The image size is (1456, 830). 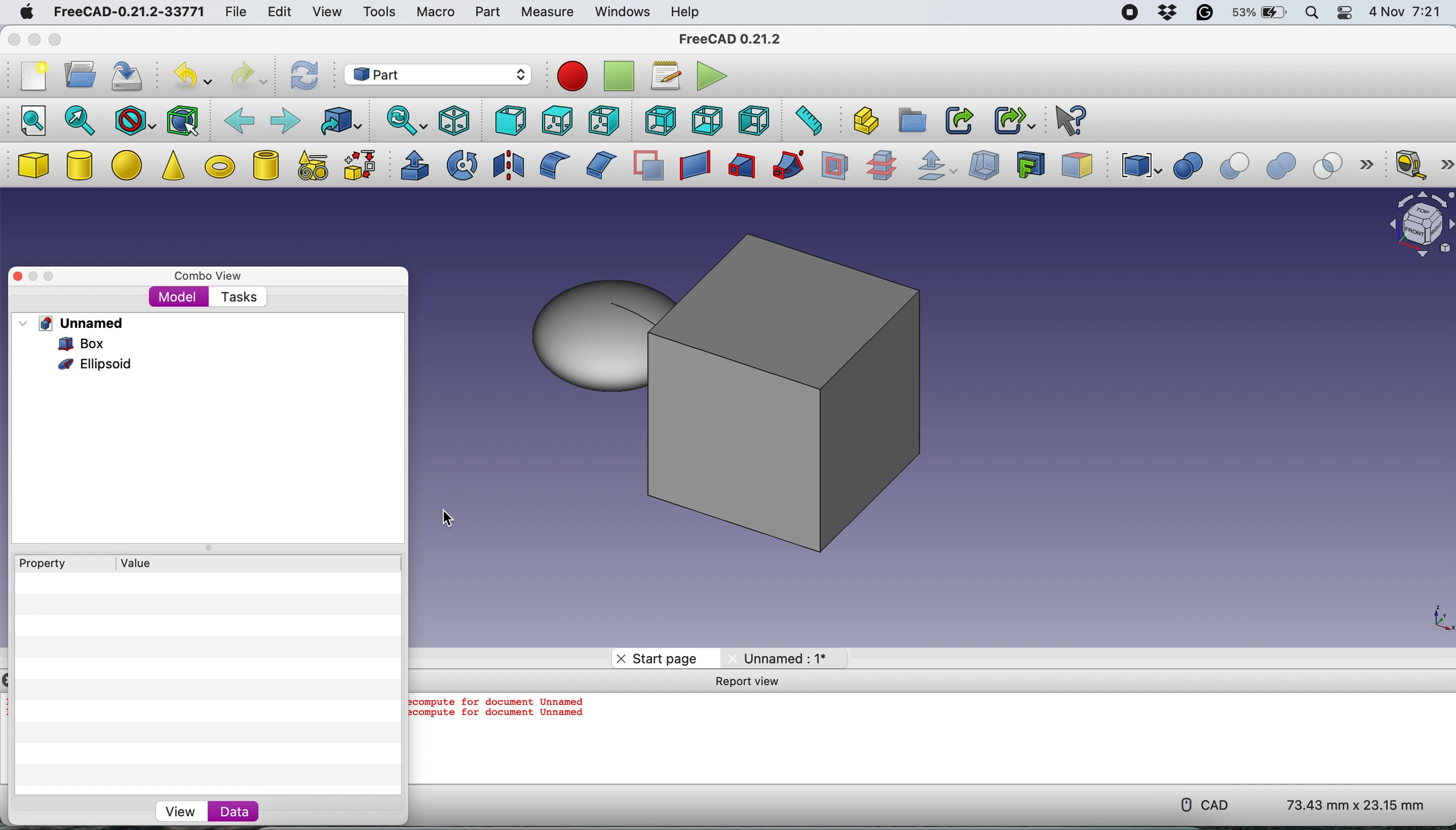 I want to click on mac logo, so click(x=24, y=13).